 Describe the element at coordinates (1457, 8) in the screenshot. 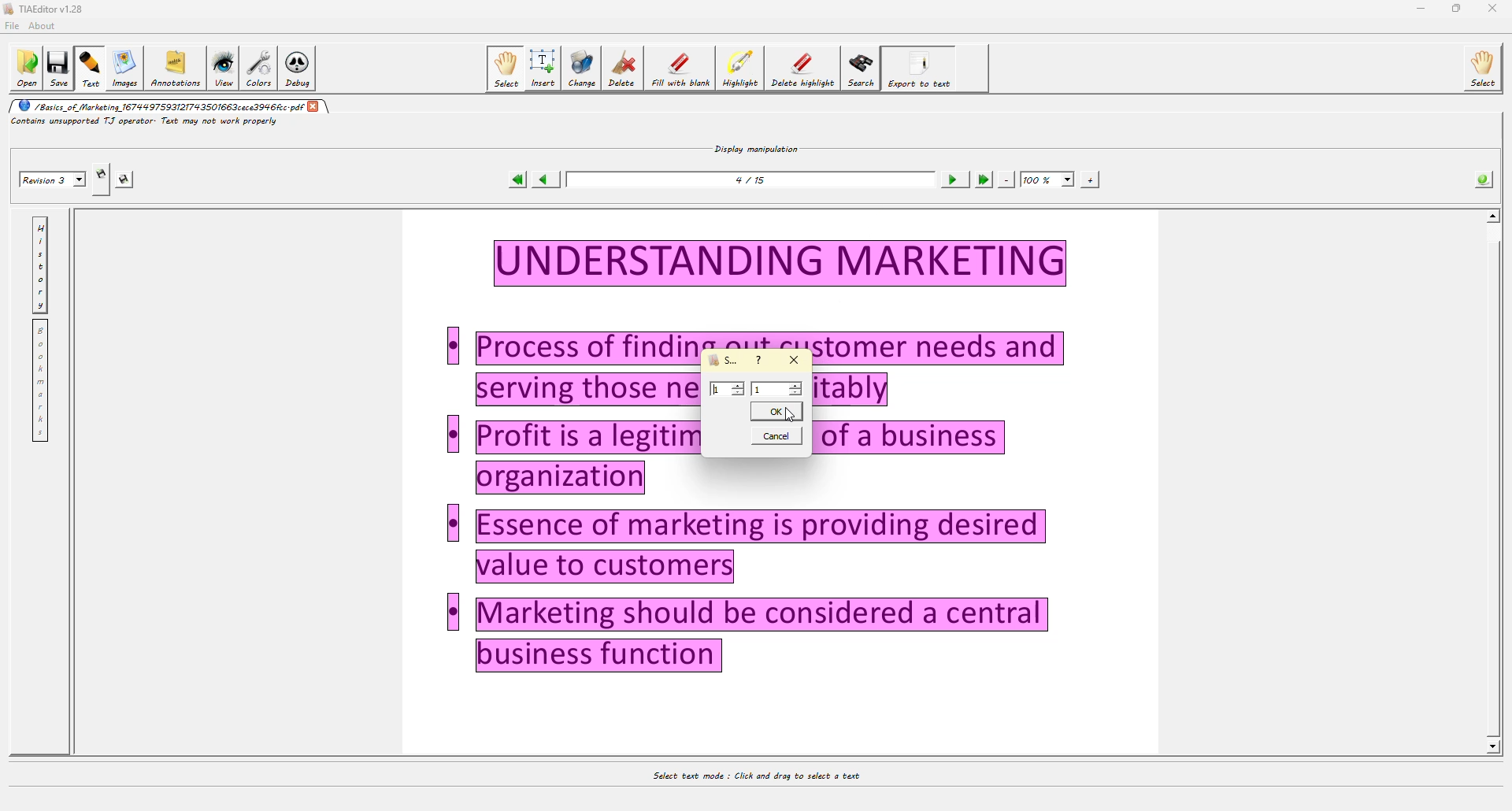

I see `maximize` at that location.